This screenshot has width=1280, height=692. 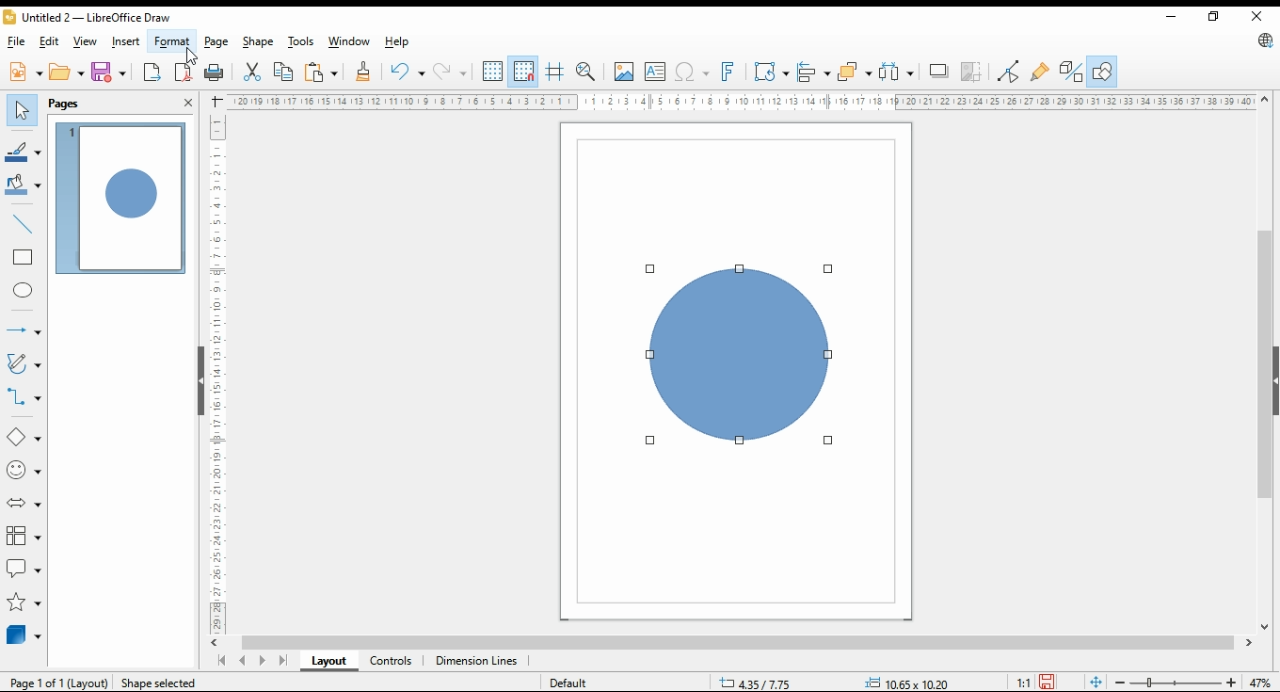 I want to click on page, so click(x=216, y=42).